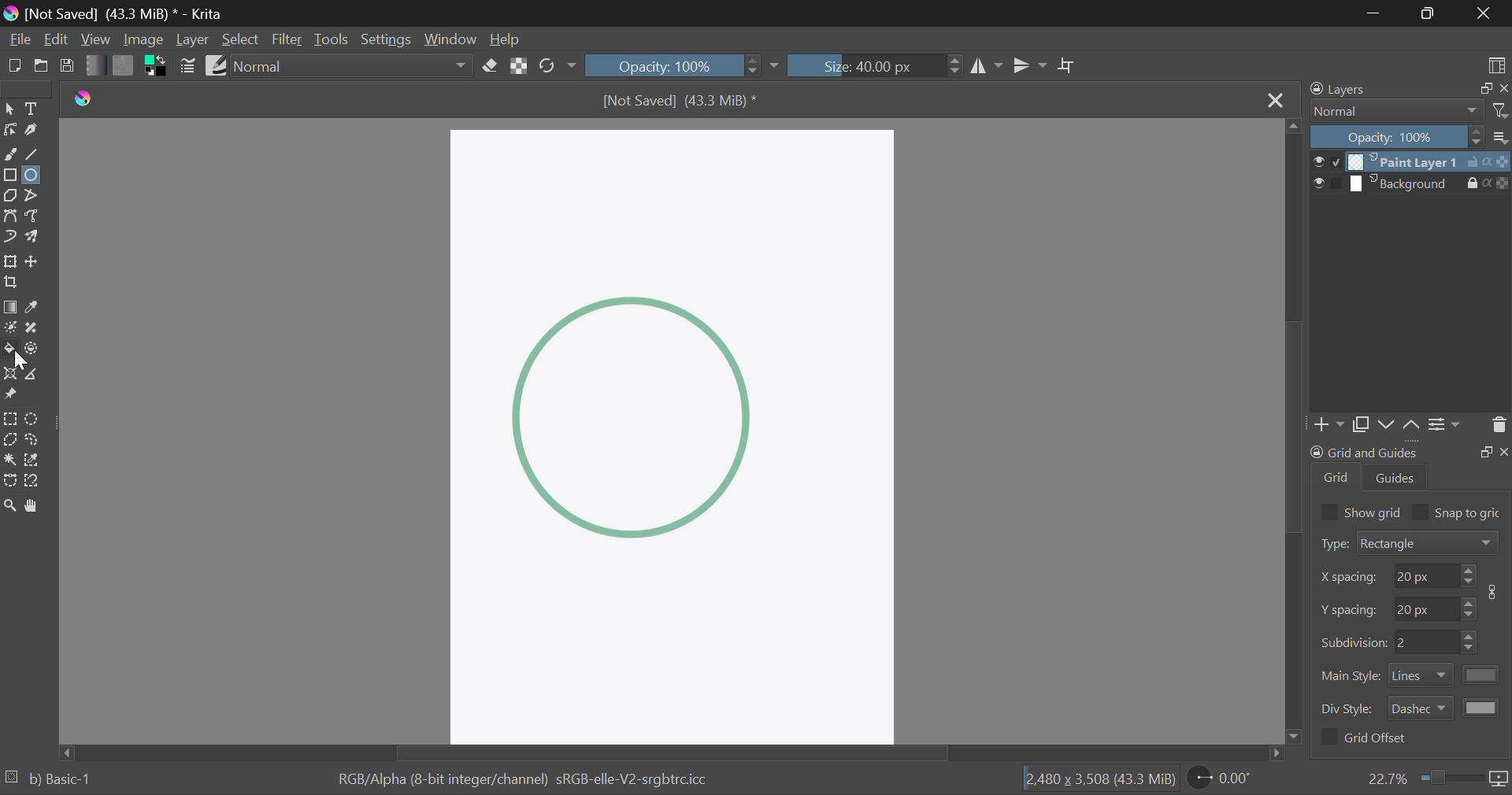 The height and width of the screenshot is (795, 1512). What do you see at coordinates (1411, 138) in the screenshot?
I see `Opacity` at bounding box center [1411, 138].